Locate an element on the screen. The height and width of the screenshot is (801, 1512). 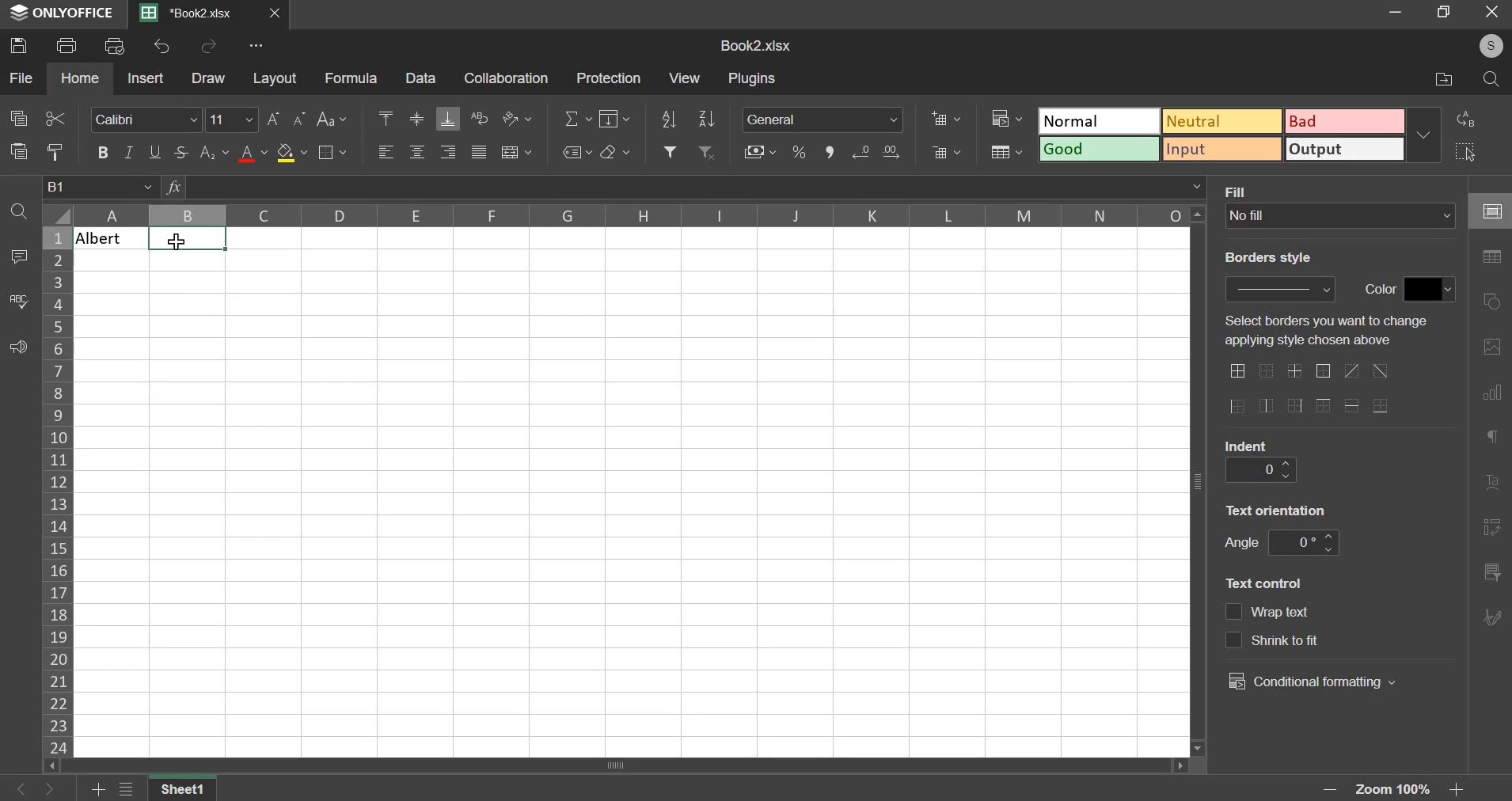
sort descending is located at coordinates (706, 119).